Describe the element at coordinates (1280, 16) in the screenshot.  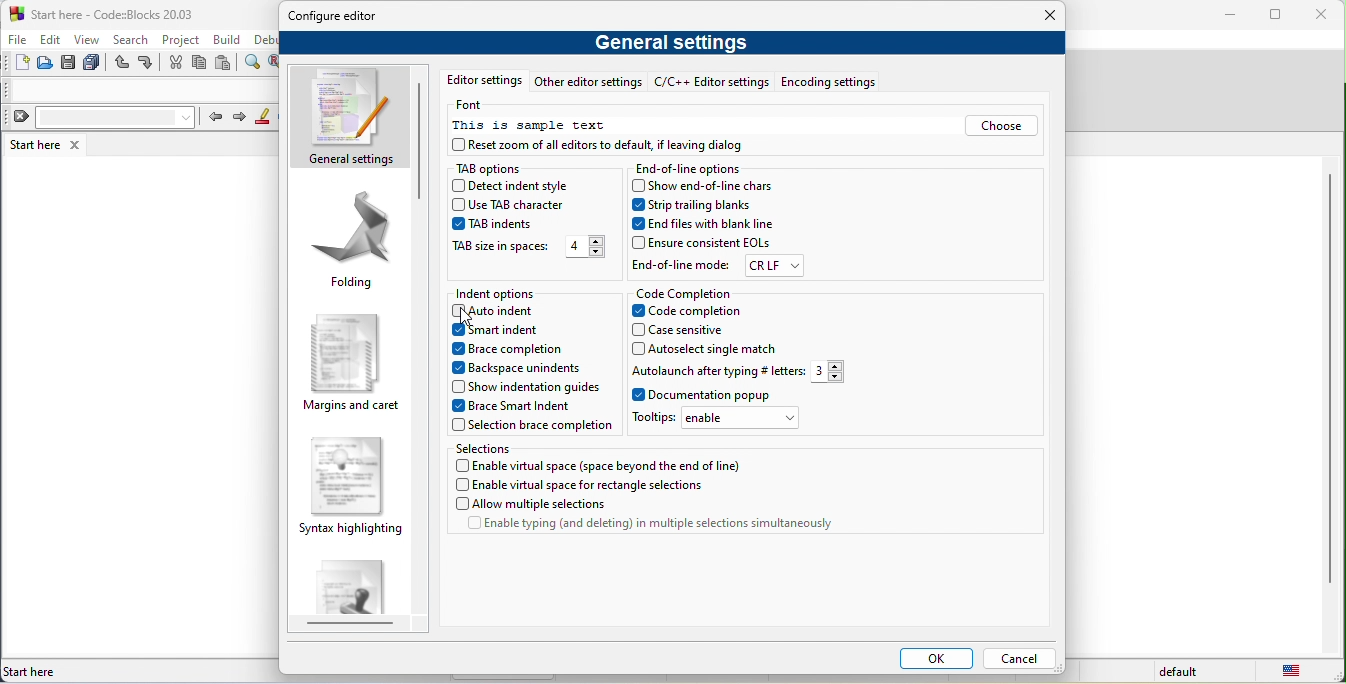
I see `maximize` at that location.